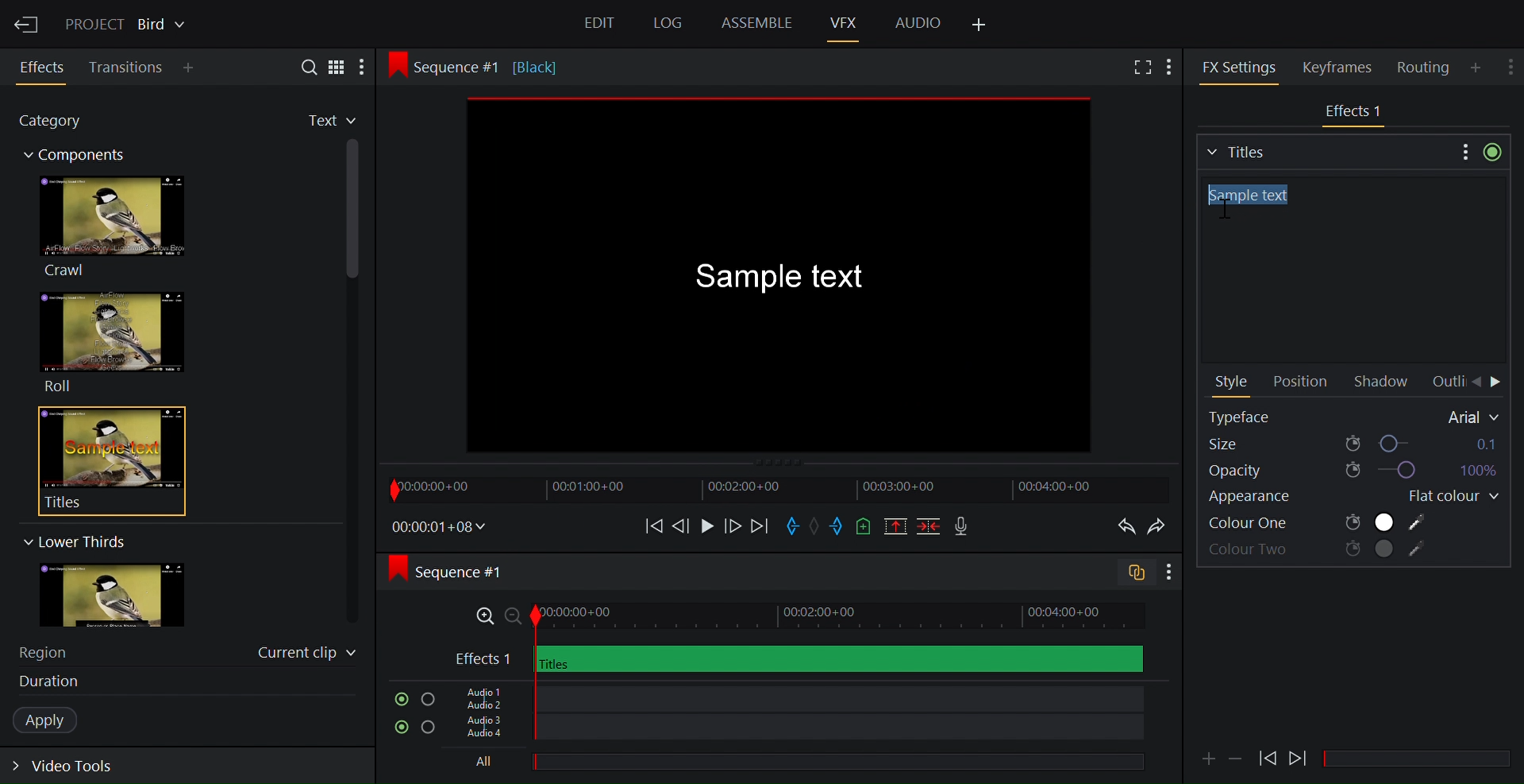 This screenshot has width=1524, height=784. I want to click on Solo this track, so click(428, 700).